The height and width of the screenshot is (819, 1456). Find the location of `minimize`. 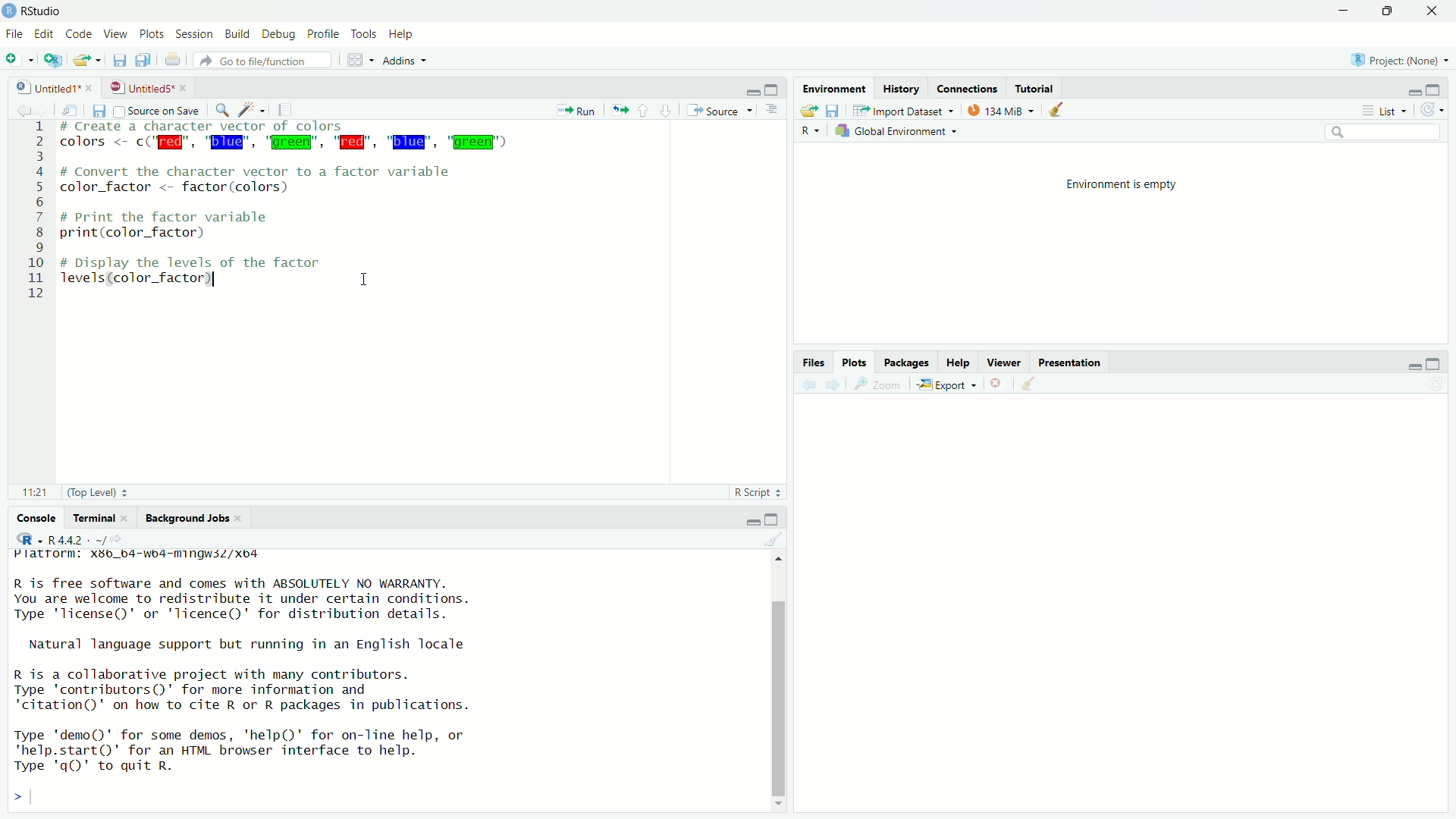

minimize is located at coordinates (745, 519).